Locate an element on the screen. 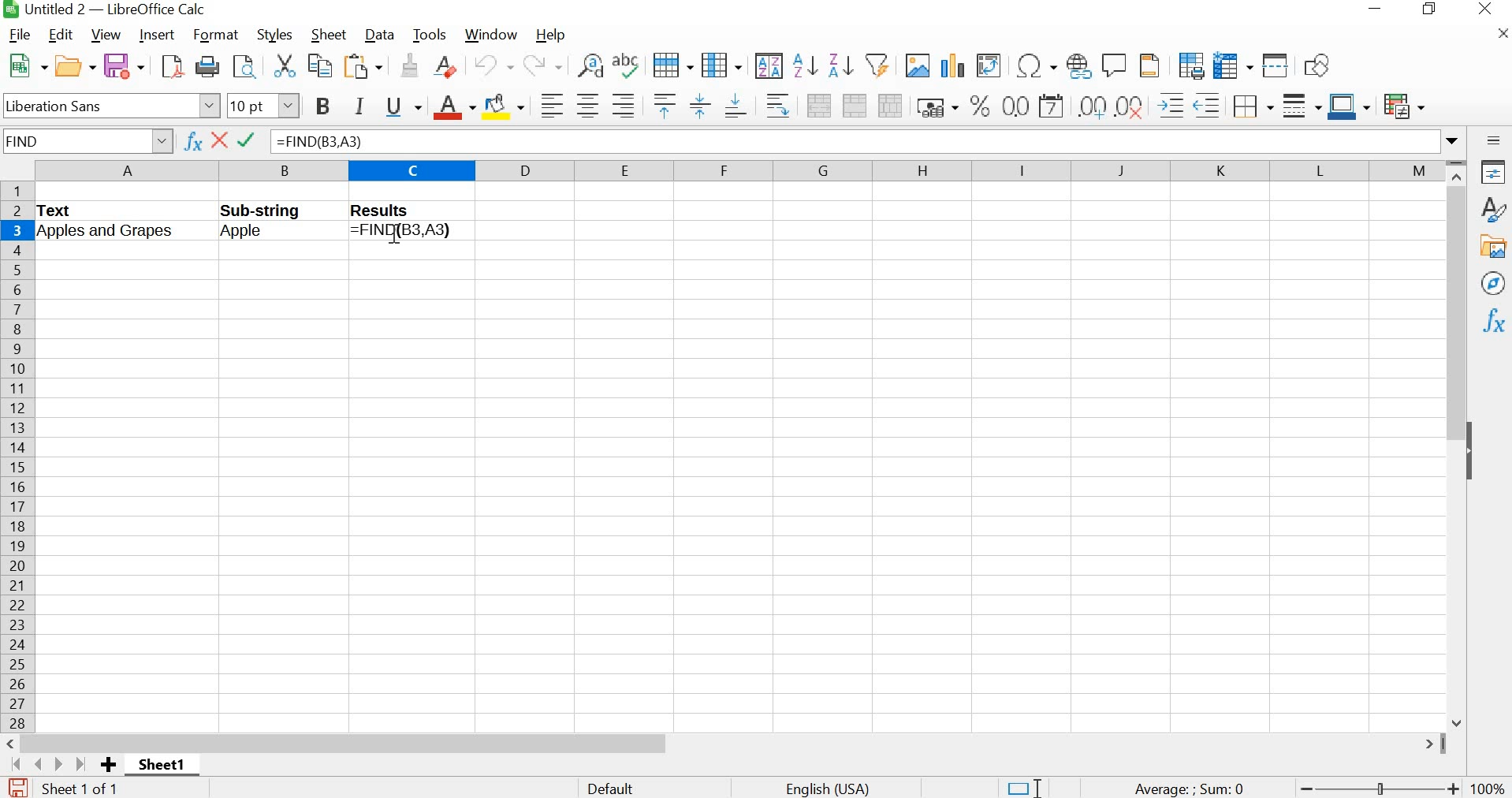 The image size is (1512, 798). clone formatting is located at coordinates (409, 67).